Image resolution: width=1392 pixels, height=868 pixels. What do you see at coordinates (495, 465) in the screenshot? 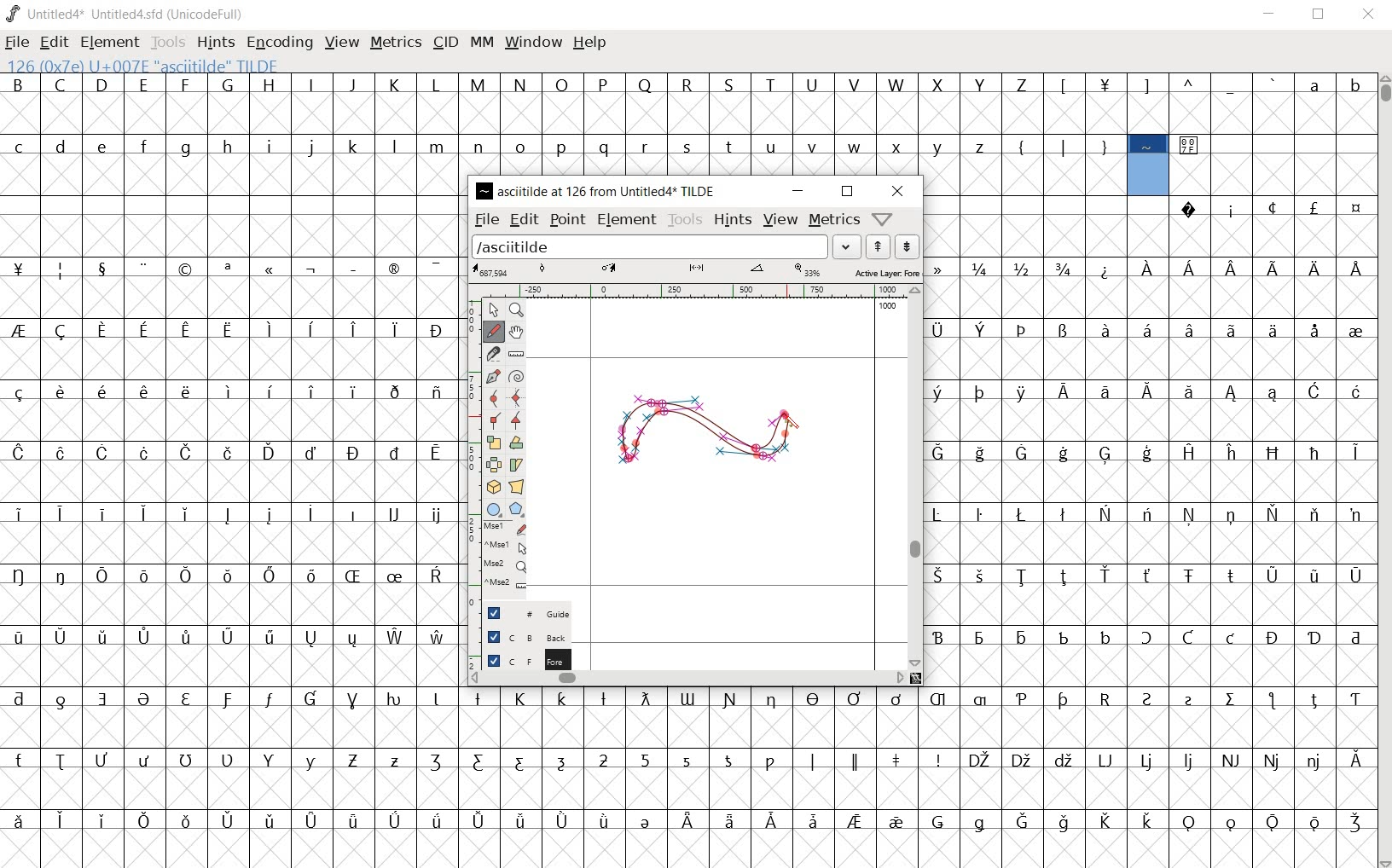
I see `flip the selection` at bounding box center [495, 465].